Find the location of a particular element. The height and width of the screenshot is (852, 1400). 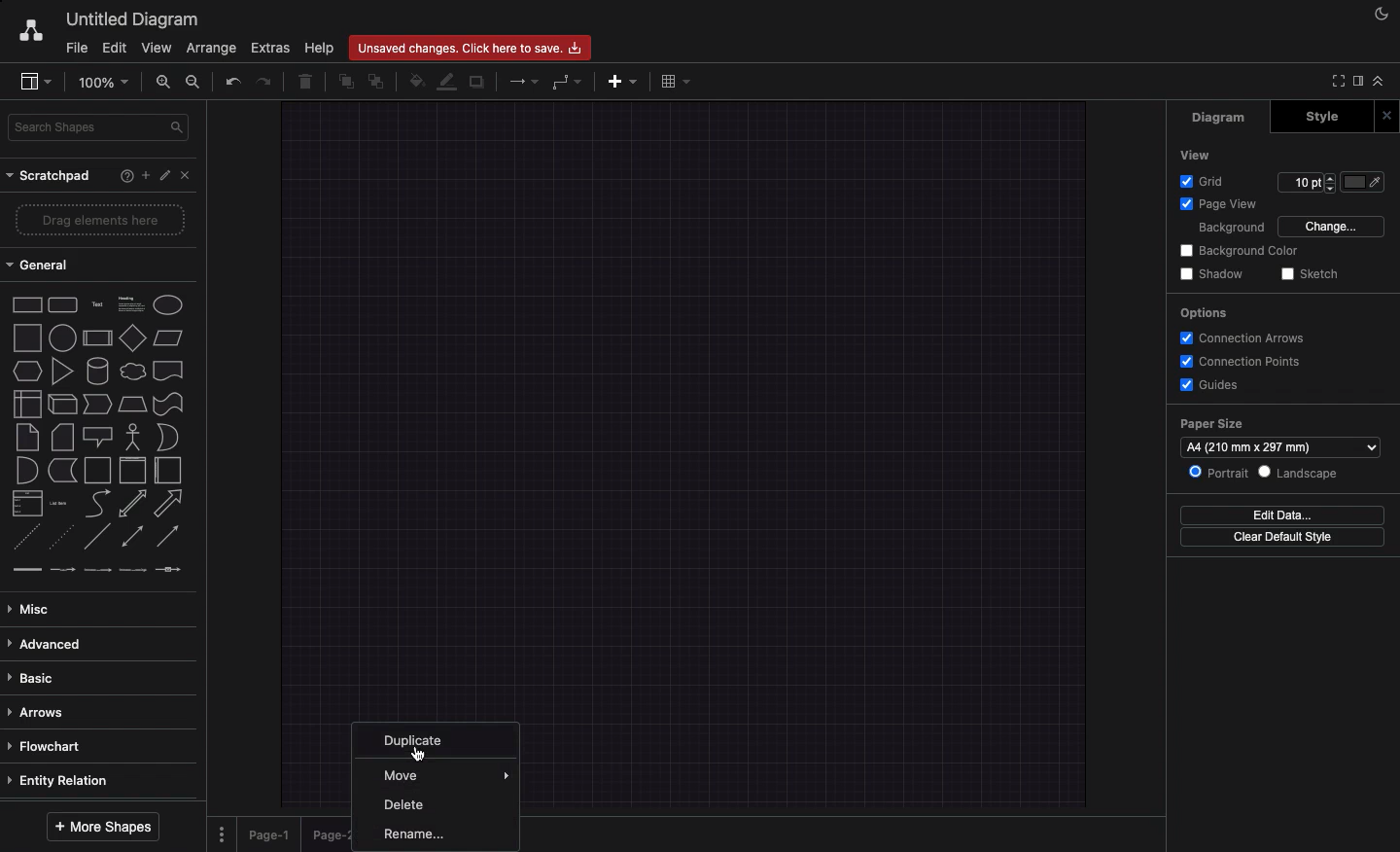

Duplicate is located at coordinates (417, 741).